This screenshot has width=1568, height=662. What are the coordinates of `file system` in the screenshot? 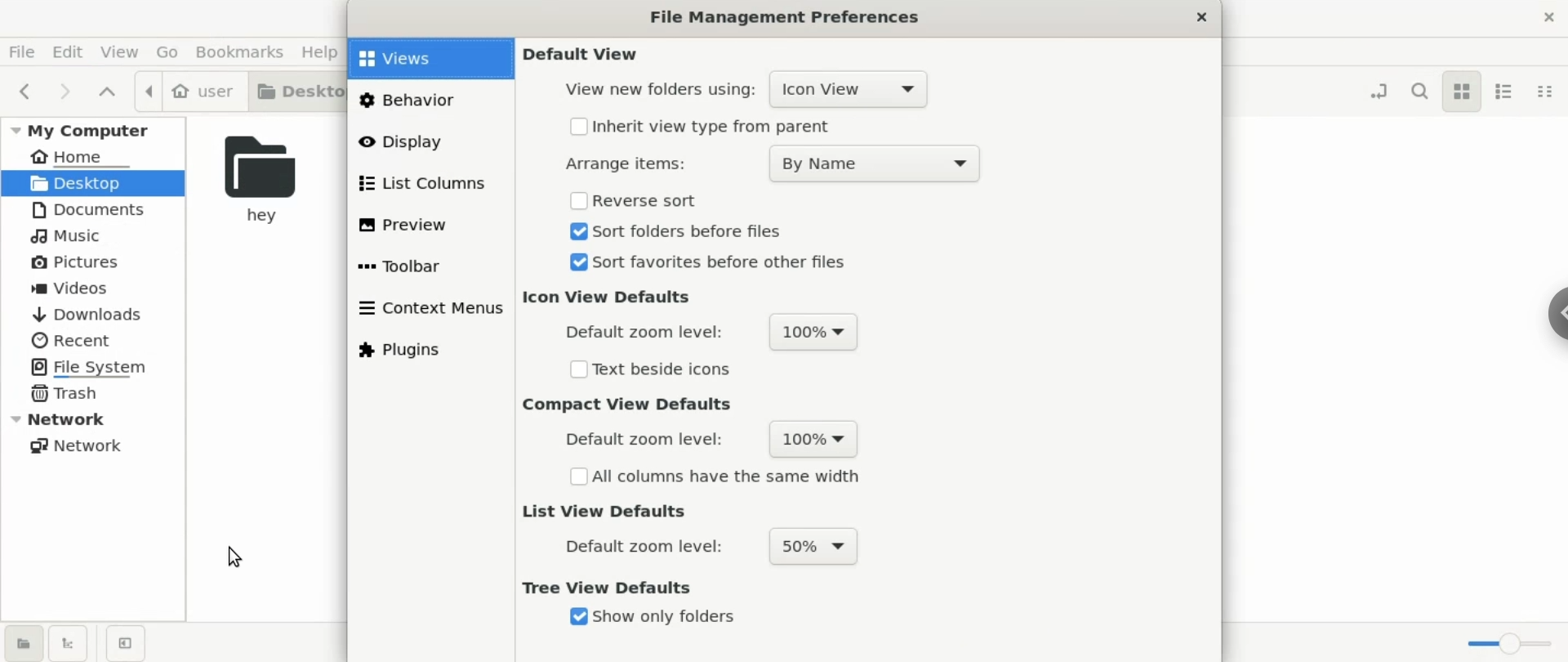 It's located at (100, 365).